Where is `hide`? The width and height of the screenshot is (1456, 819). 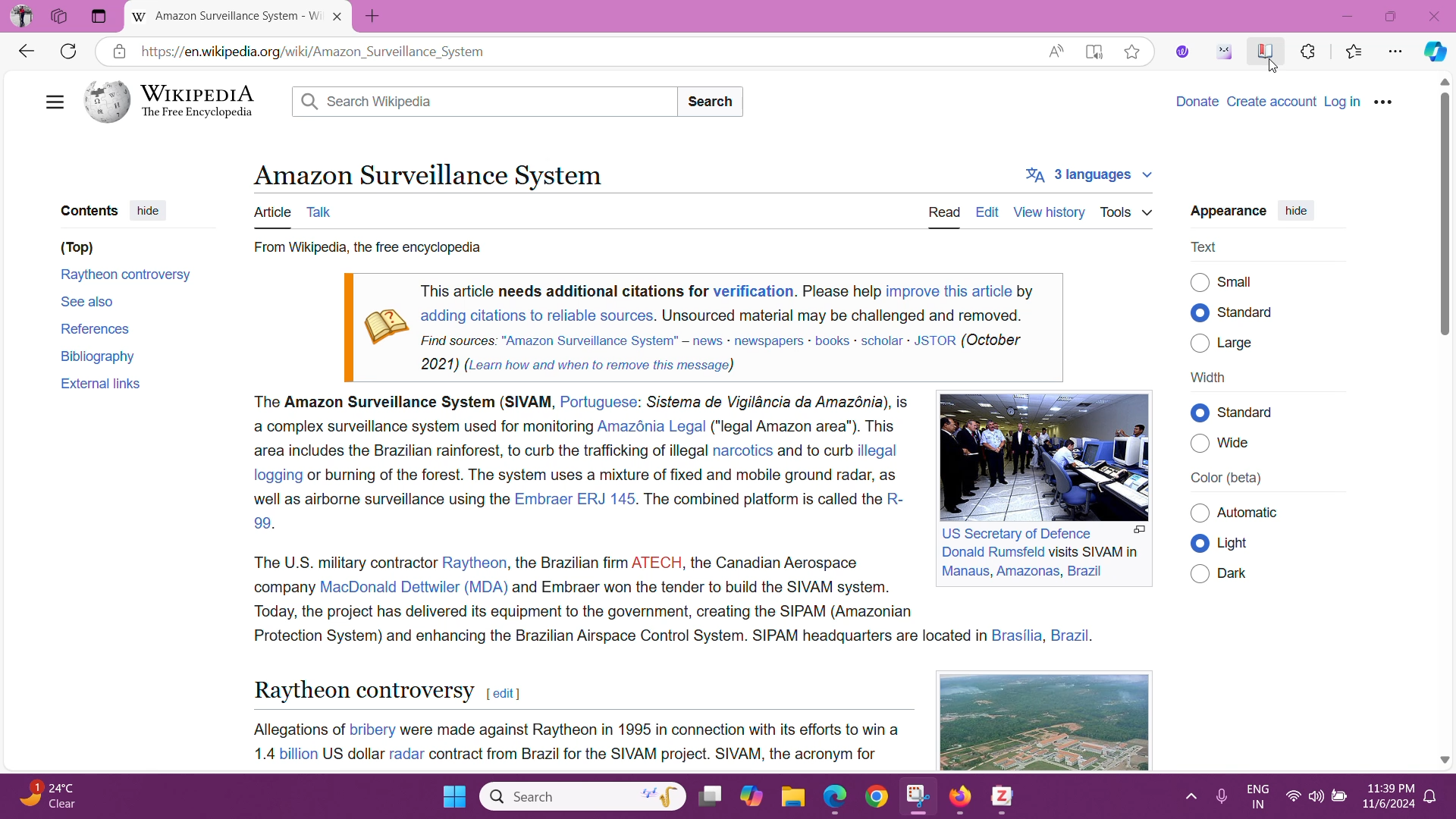
hide is located at coordinates (1296, 212).